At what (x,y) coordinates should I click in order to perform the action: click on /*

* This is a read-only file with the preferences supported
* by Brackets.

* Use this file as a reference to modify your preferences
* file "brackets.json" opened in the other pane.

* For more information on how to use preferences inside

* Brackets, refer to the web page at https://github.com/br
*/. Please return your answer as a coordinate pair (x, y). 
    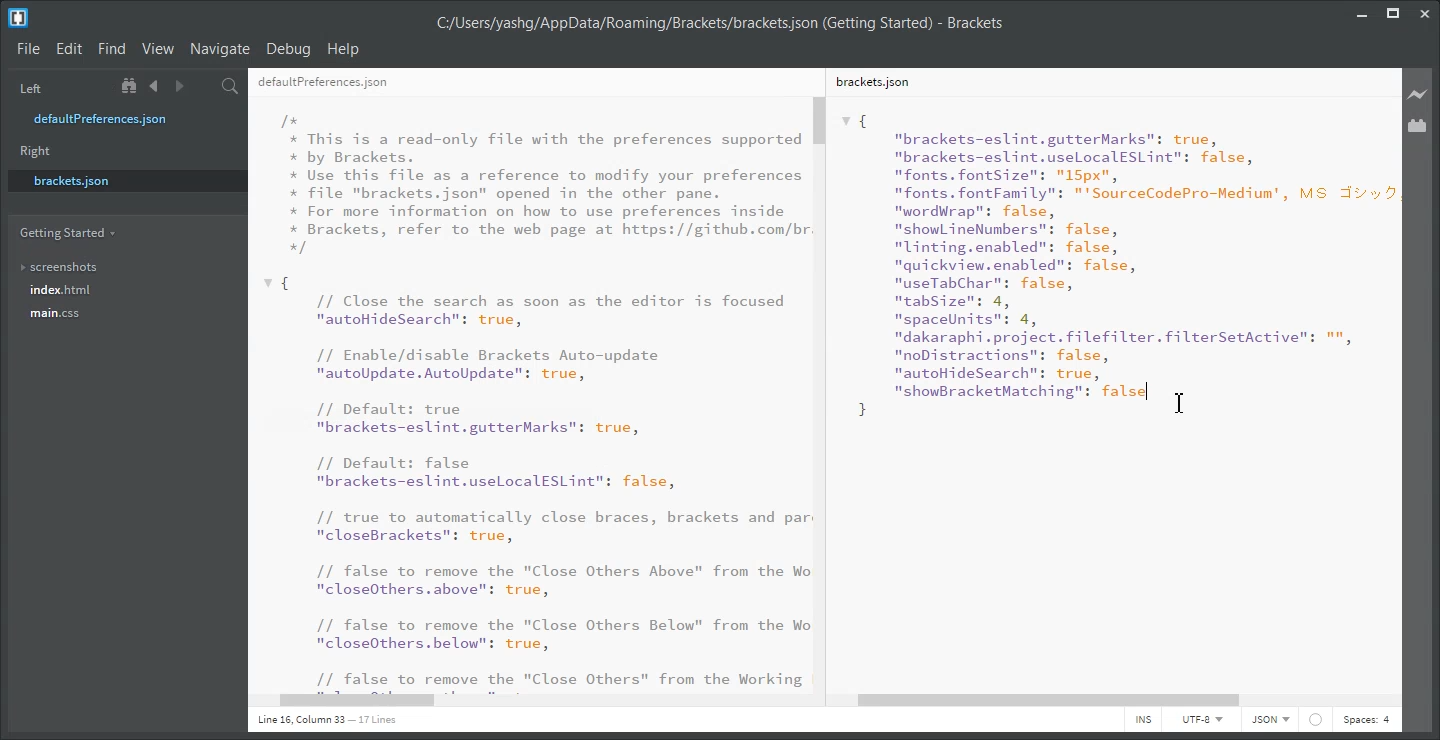
    Looking at the image, I should click on (546, 184).